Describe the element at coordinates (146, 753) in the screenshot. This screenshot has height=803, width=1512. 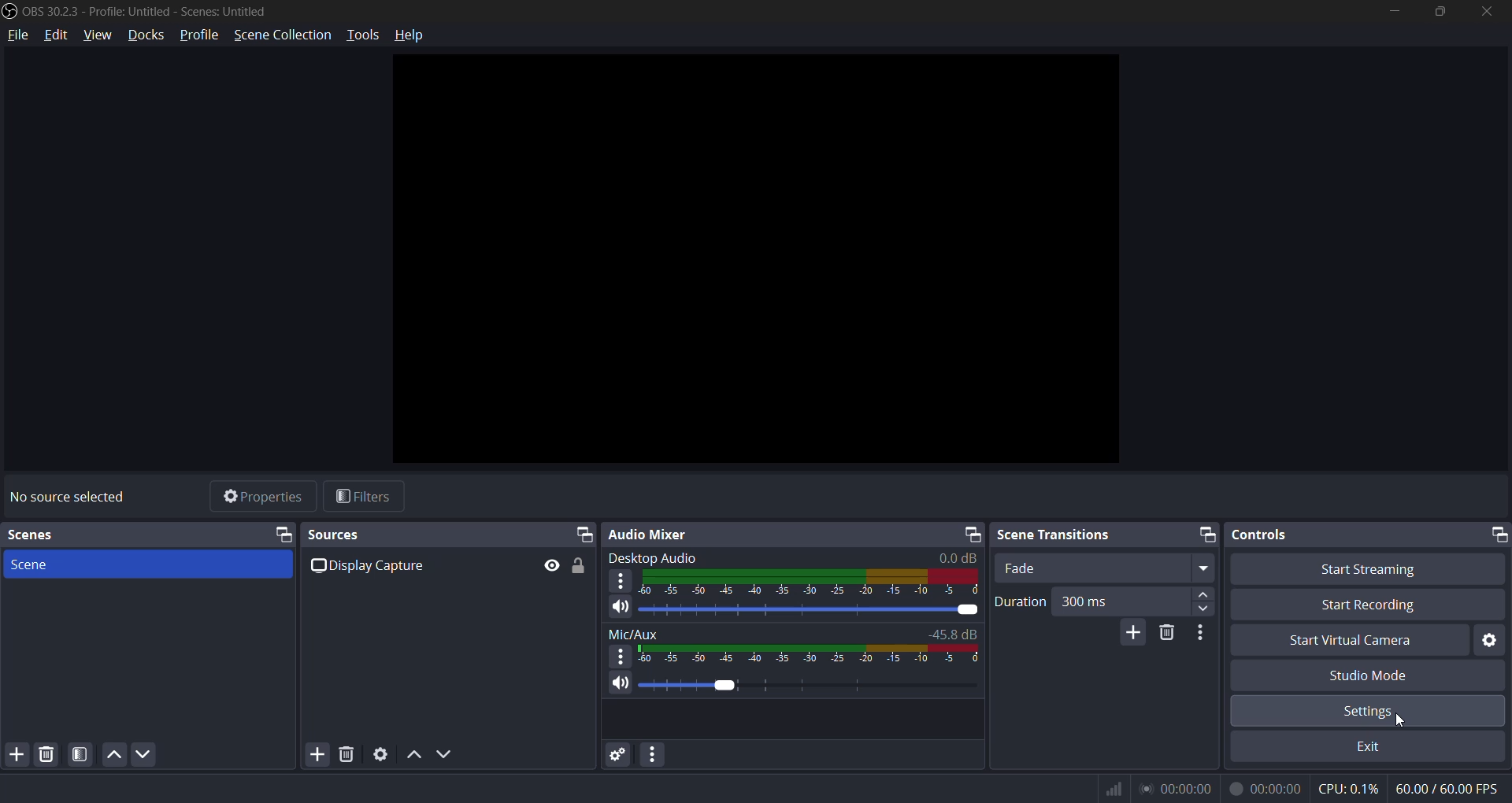
I see `move down` at that location.